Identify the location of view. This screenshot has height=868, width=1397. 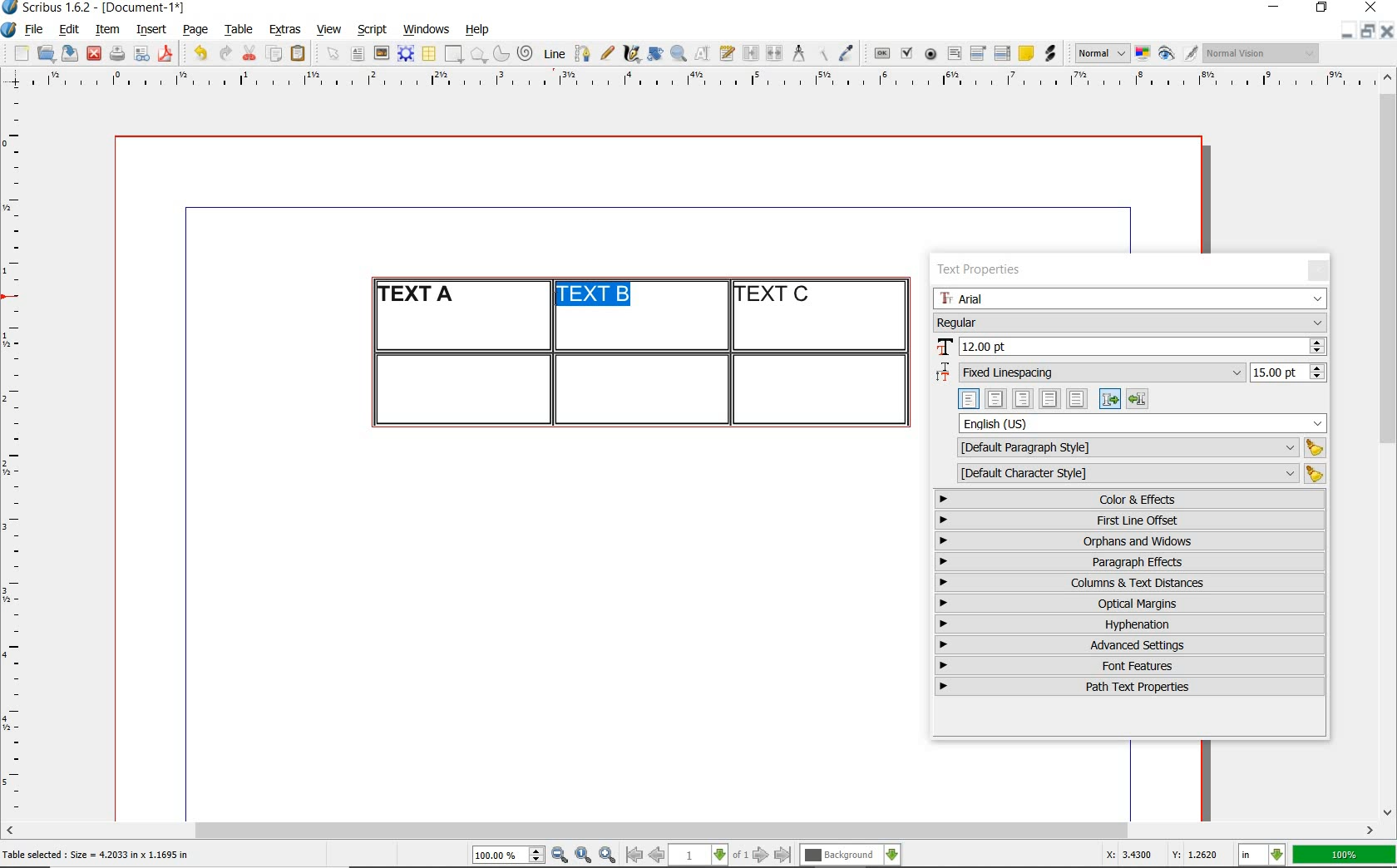
(329, 29).